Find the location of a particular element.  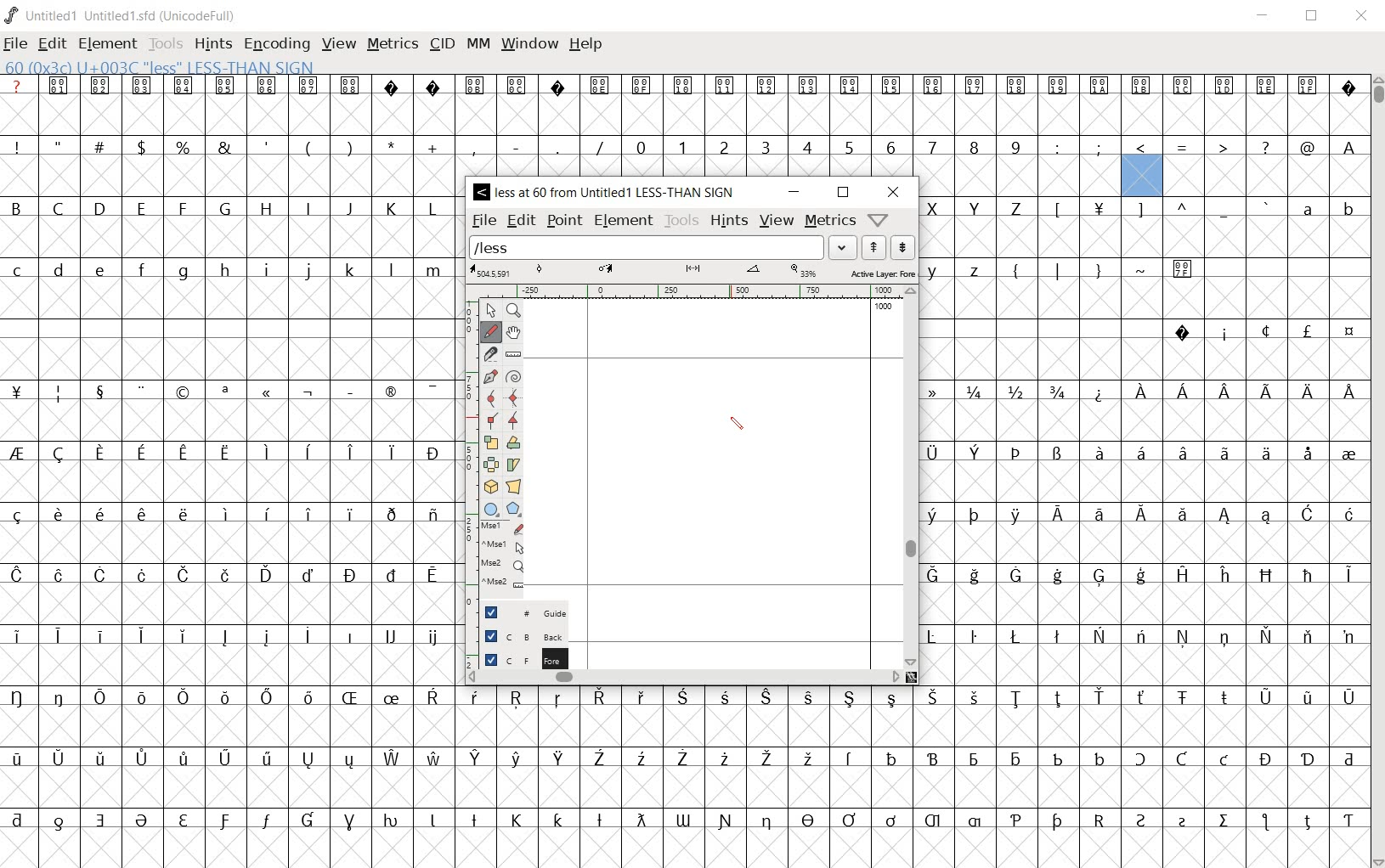

tools is located at coordinates (166, 42).